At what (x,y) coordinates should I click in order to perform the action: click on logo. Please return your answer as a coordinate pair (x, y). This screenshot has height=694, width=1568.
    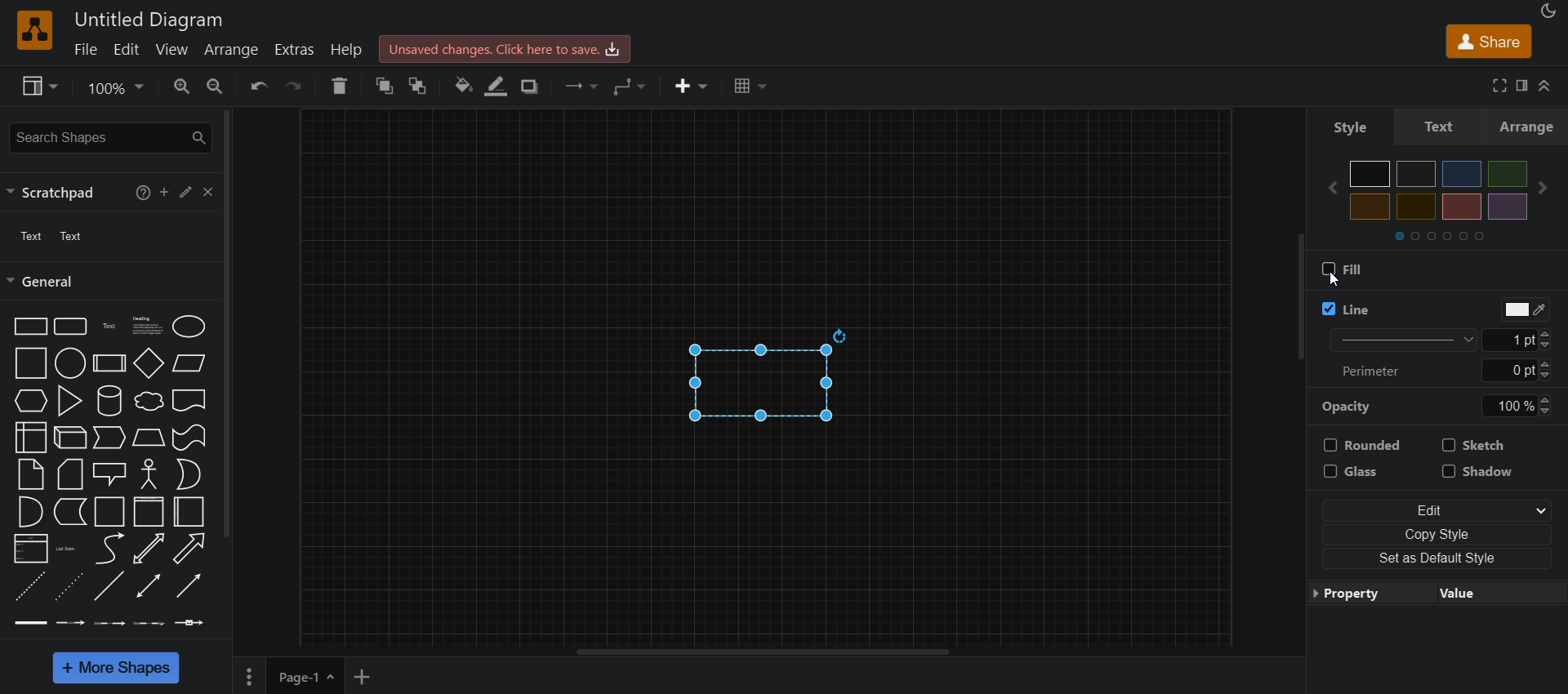
    Looking at the image, I should click on (36, 30).